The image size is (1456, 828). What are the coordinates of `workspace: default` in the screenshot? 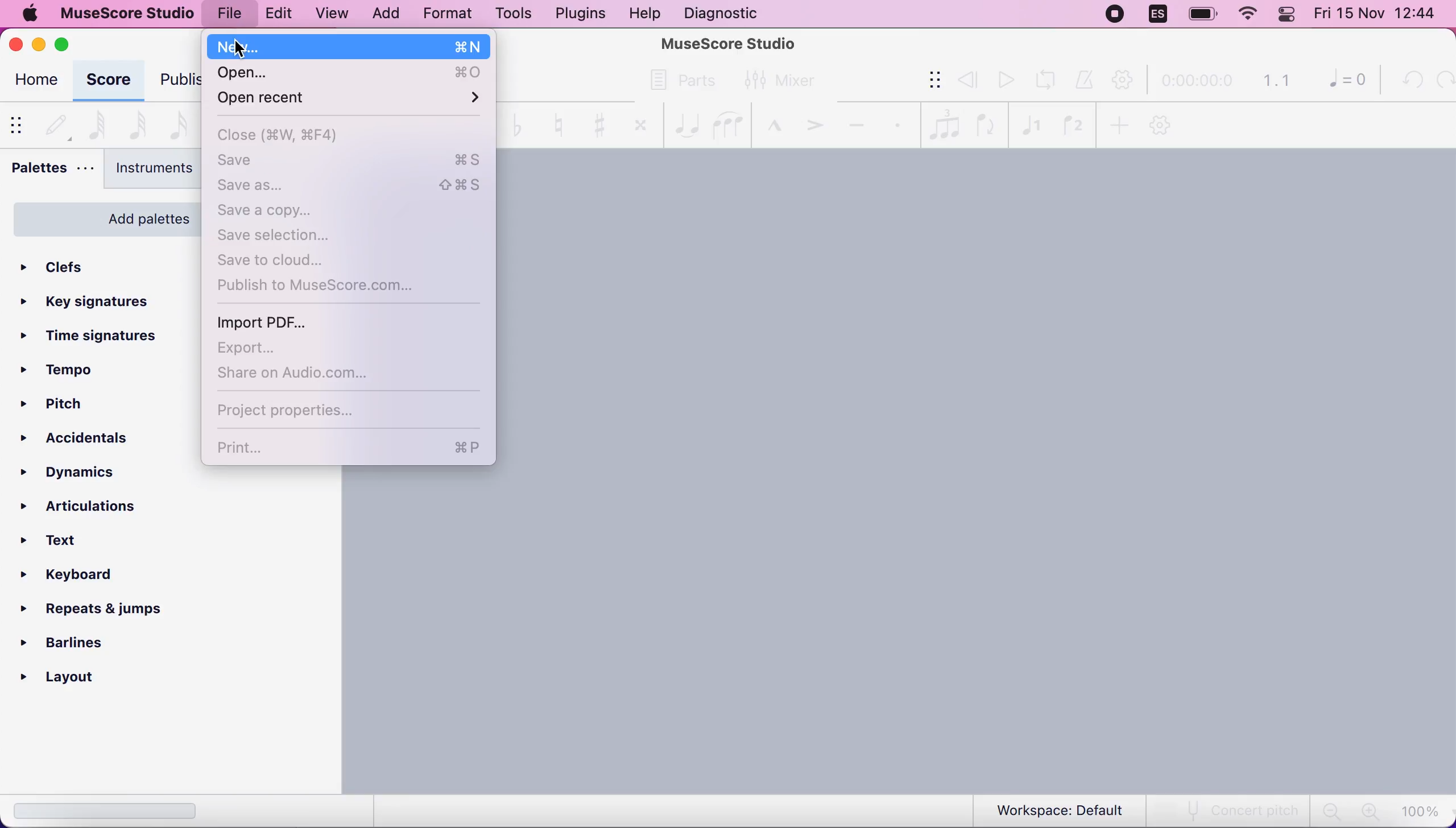 It's located at (1064, 810).